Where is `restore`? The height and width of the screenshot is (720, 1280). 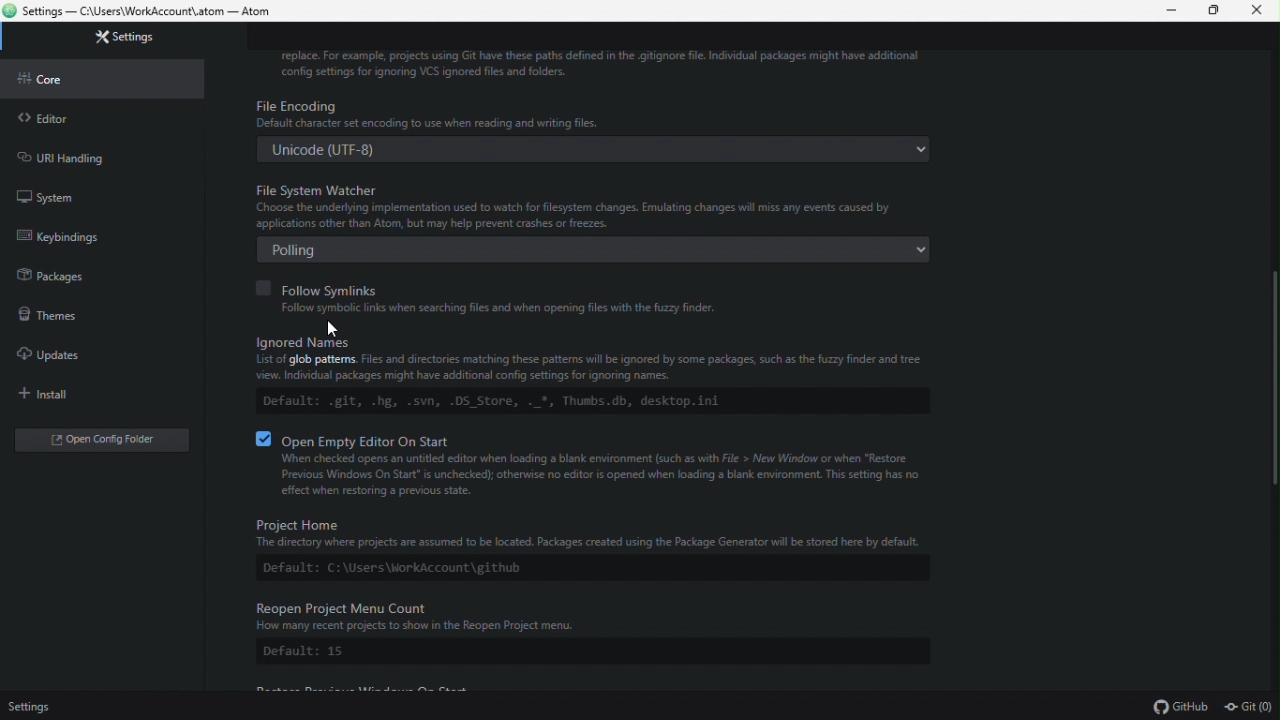 restore is located at coordinates (1217, 12).